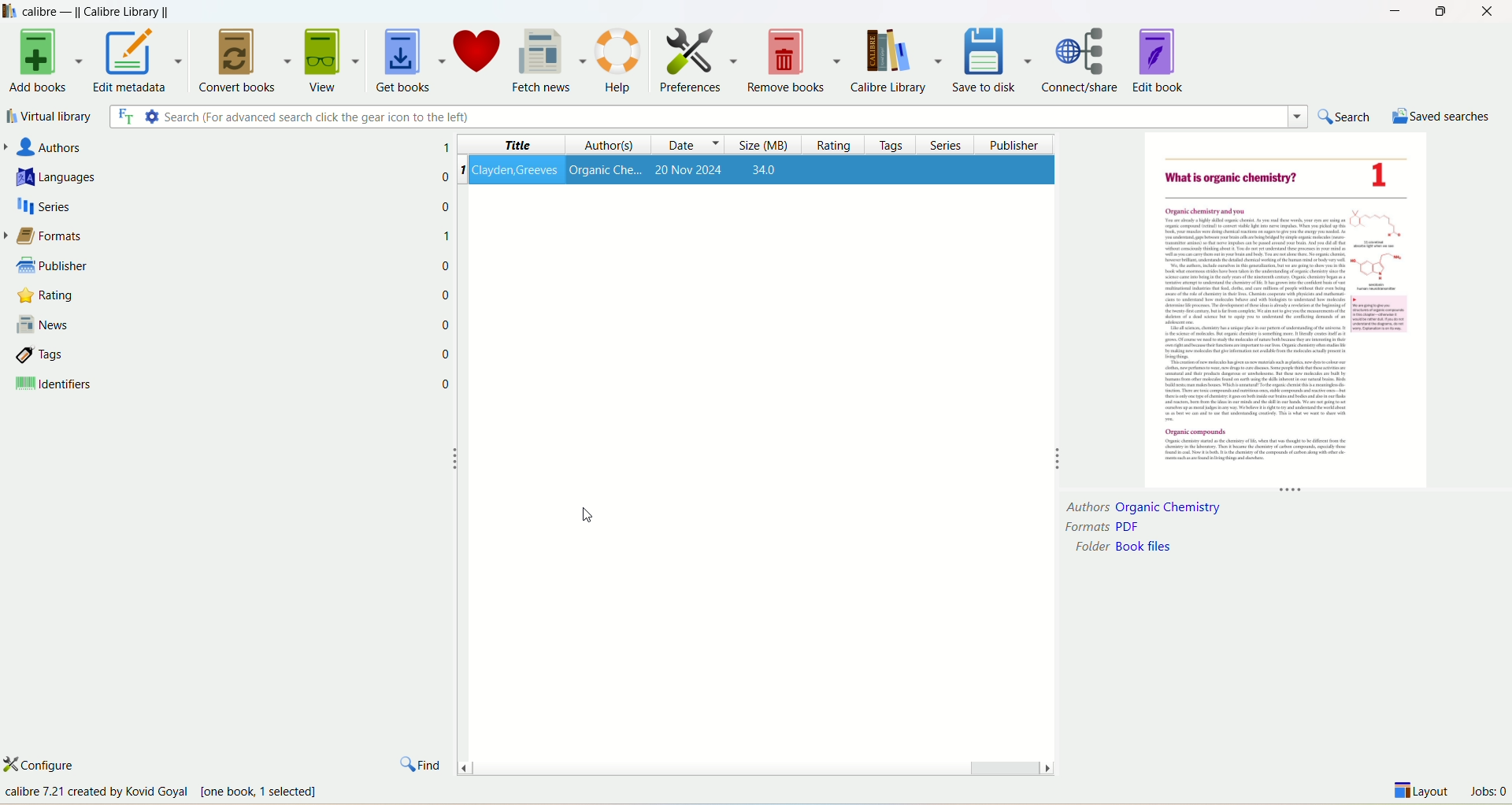  Describe the element at coordinates (210, 324) in the screenshot. I see `news` at that location.